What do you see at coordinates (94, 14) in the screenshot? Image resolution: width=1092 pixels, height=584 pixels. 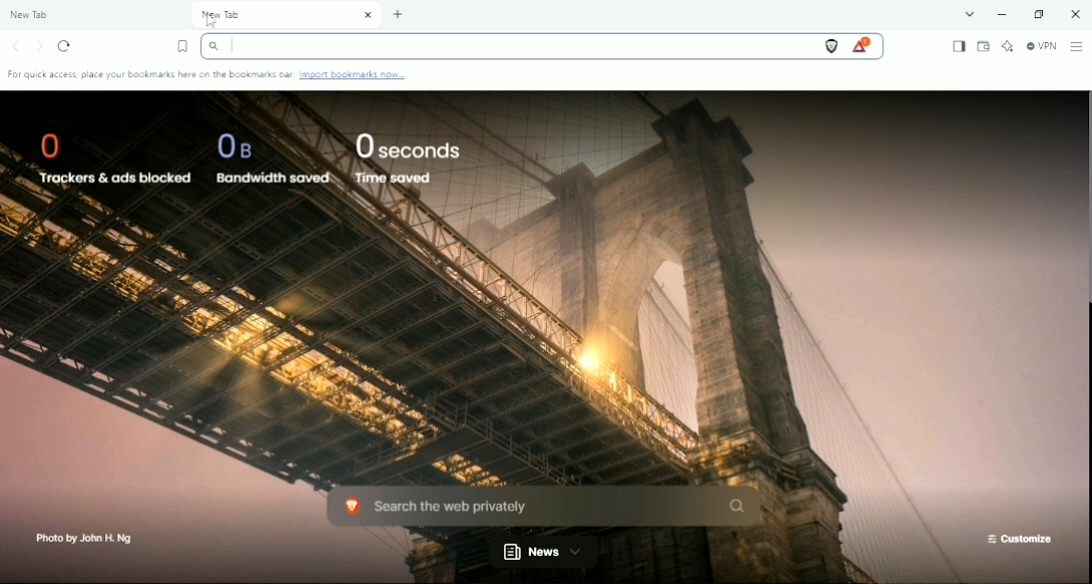 I see `New Tab` at bounding box center [94, 14].